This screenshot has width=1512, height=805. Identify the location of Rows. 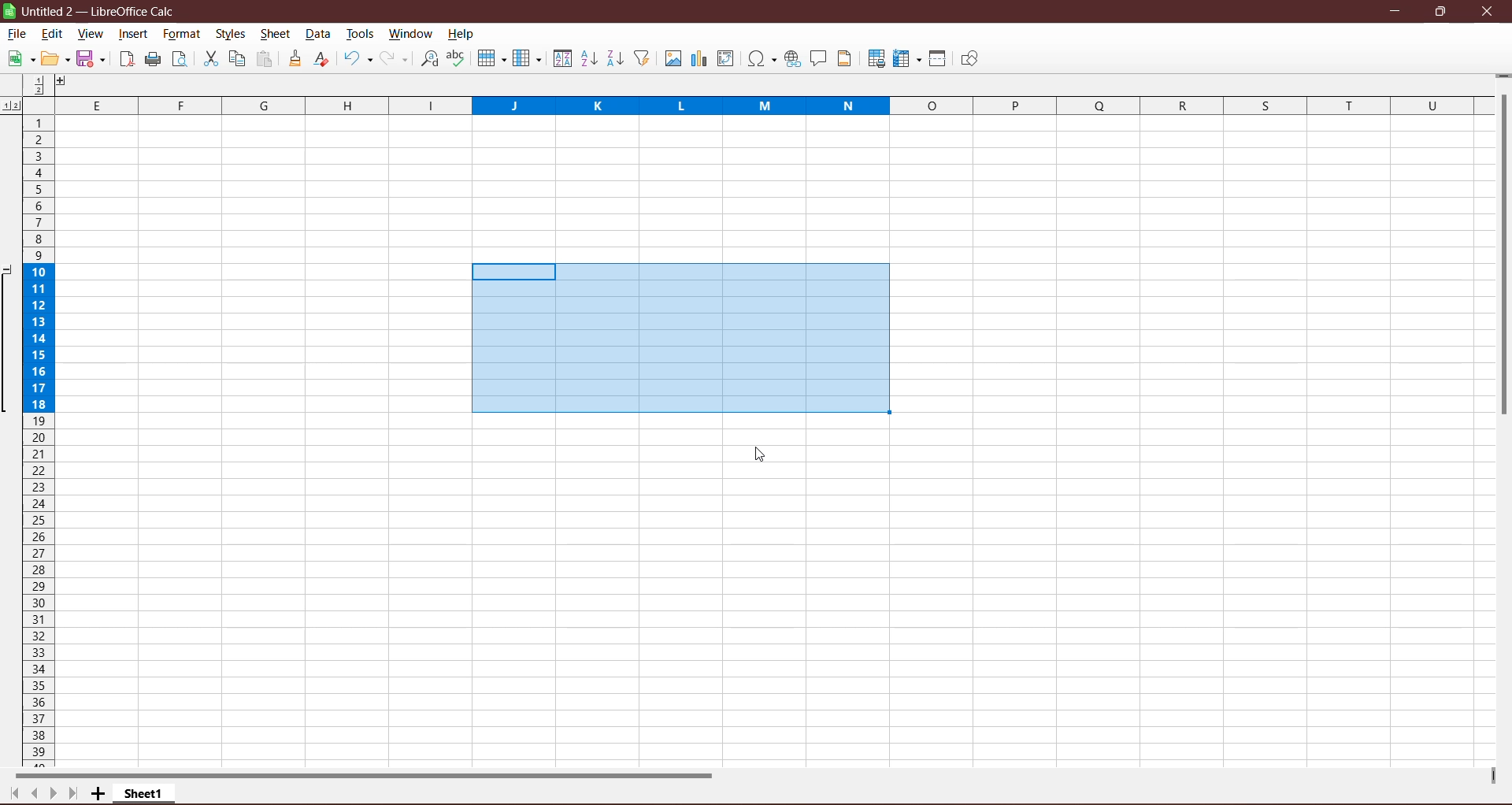
(490, 60).